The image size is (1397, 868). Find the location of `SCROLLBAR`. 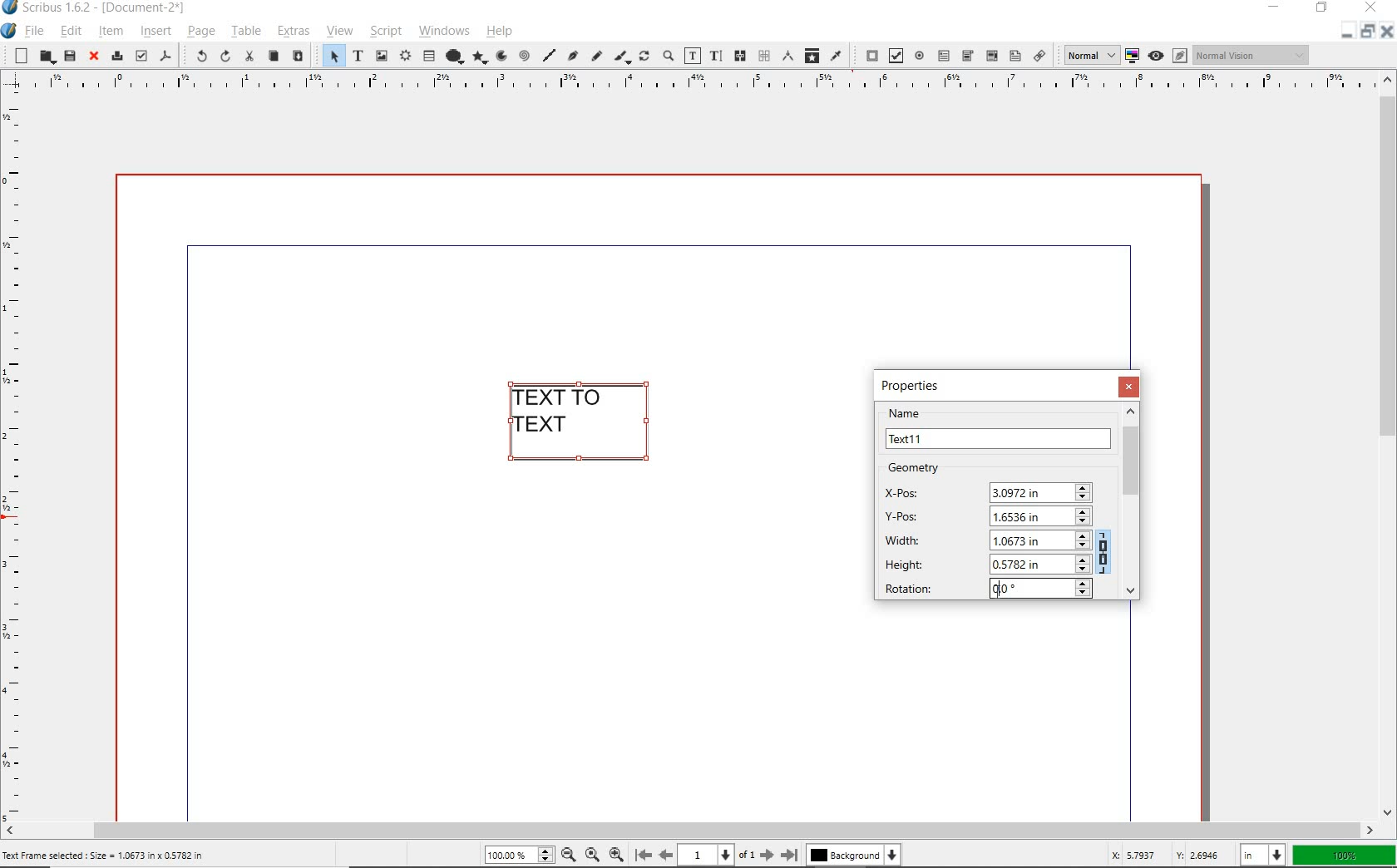

SCROLLBAR is located at coordinates (1133, 501).